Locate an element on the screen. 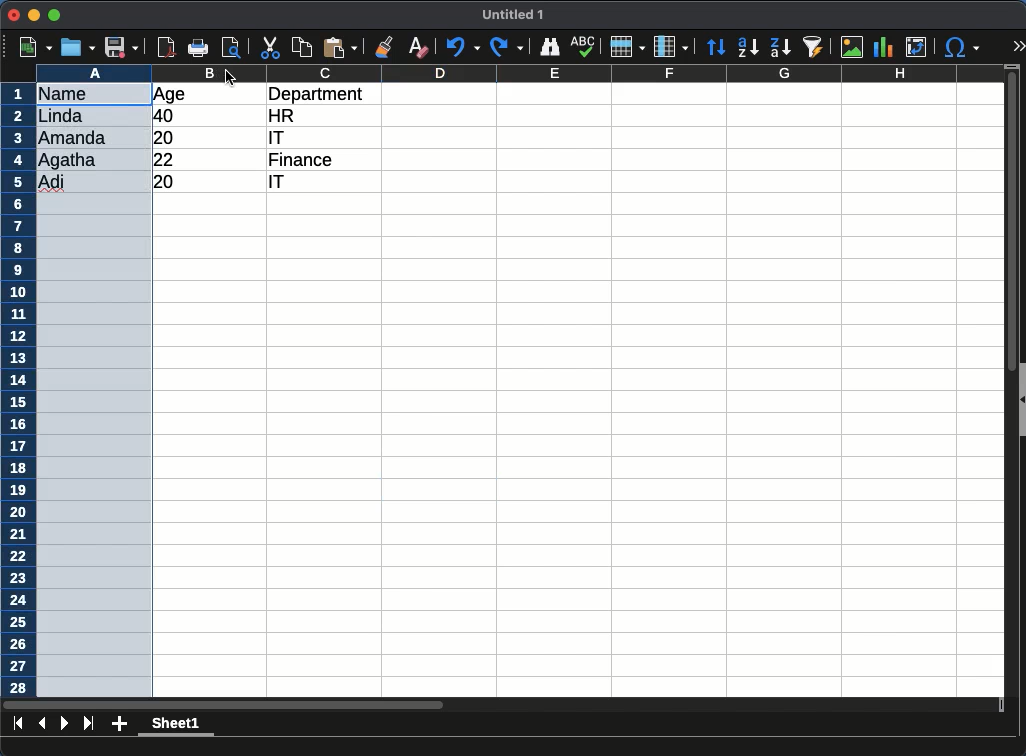 The height and width of the screenshot is (756, 1026). department  is located at coordinates (317, 93).